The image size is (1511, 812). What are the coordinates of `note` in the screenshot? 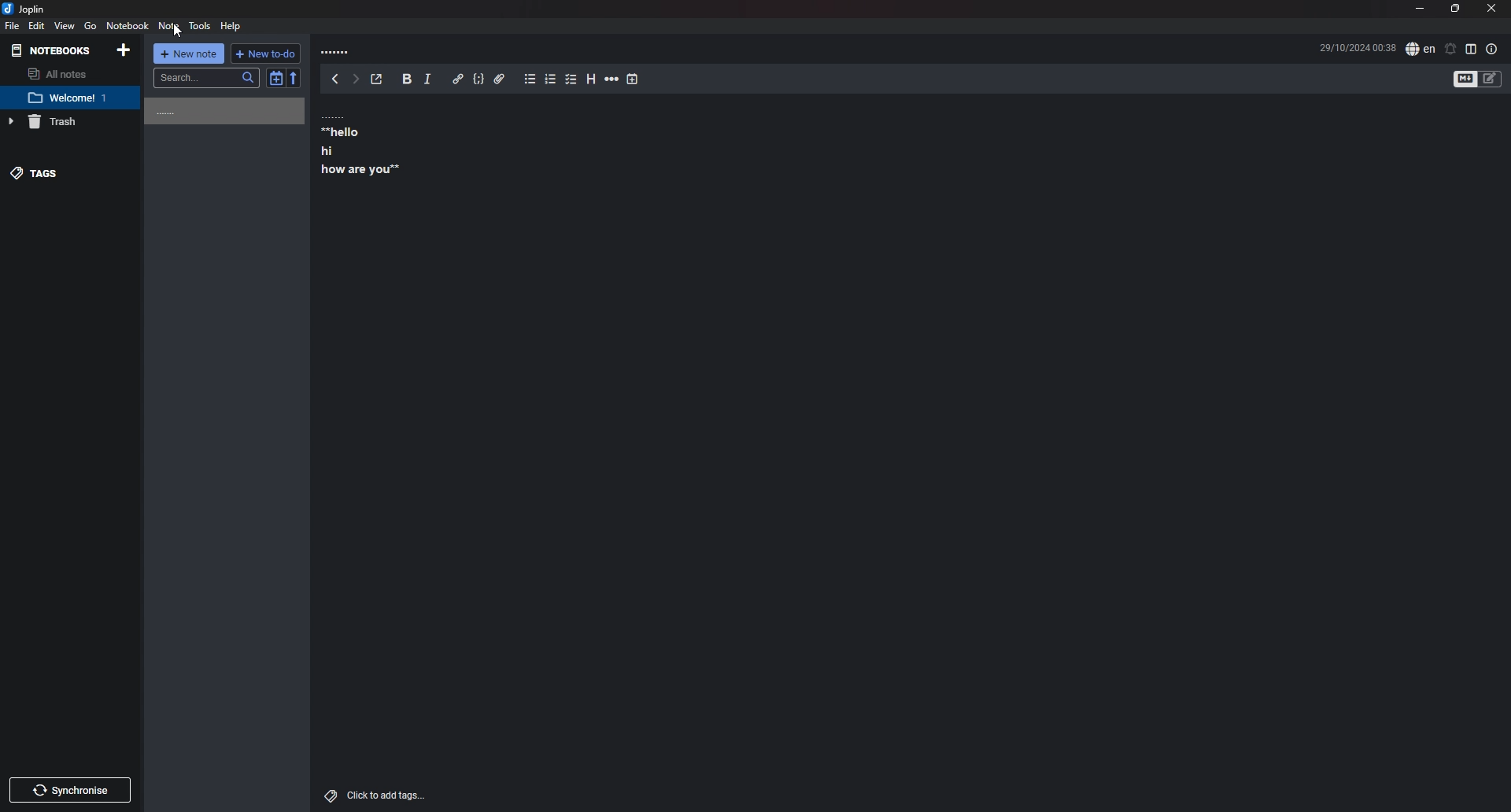 It's located at (375, 146).